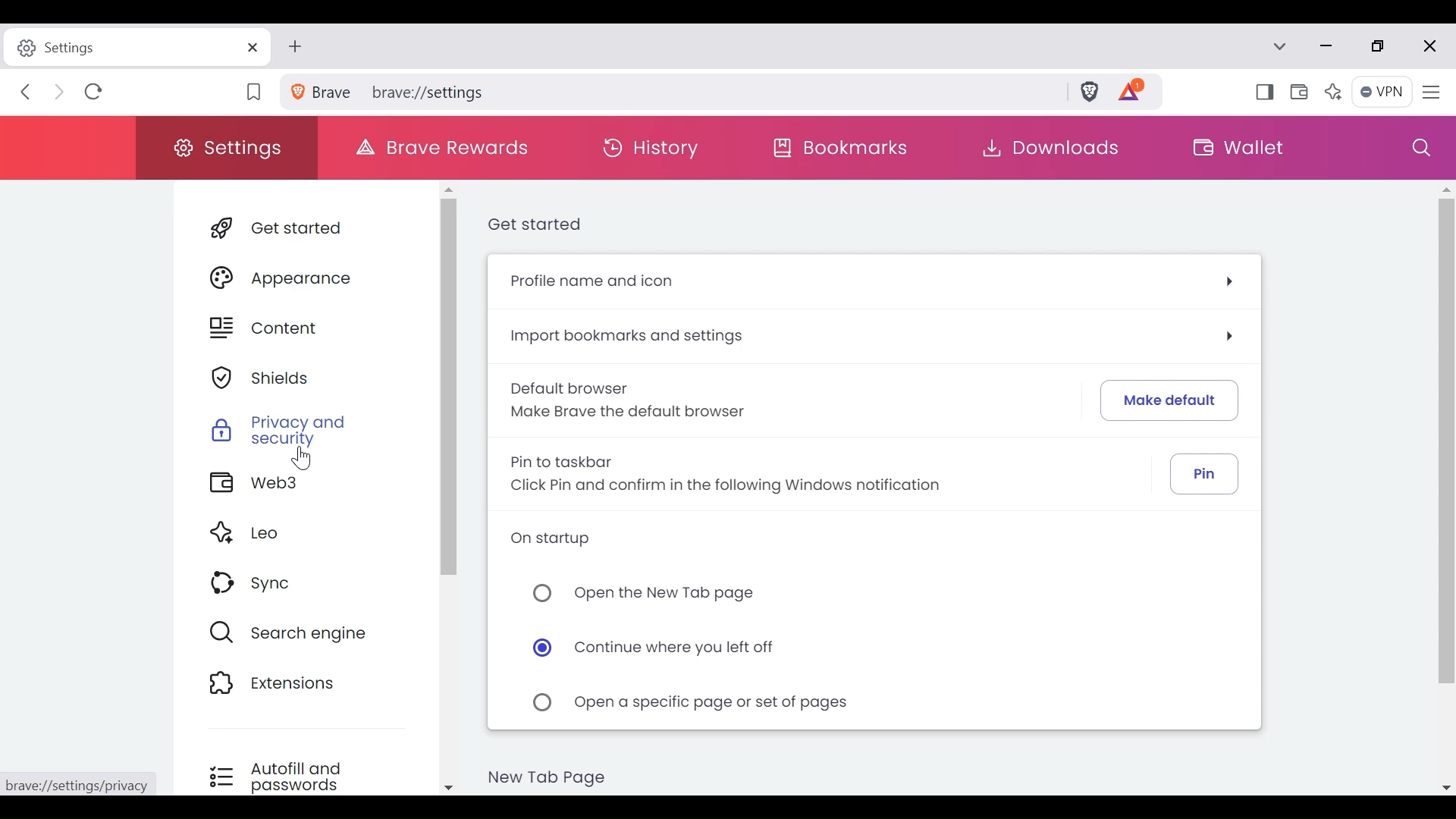  What do you see at coordinates (742, 702) in the screenshot?
I see `Enable/Disable open a specific page or set of pages` at bounding box center [742, 702].